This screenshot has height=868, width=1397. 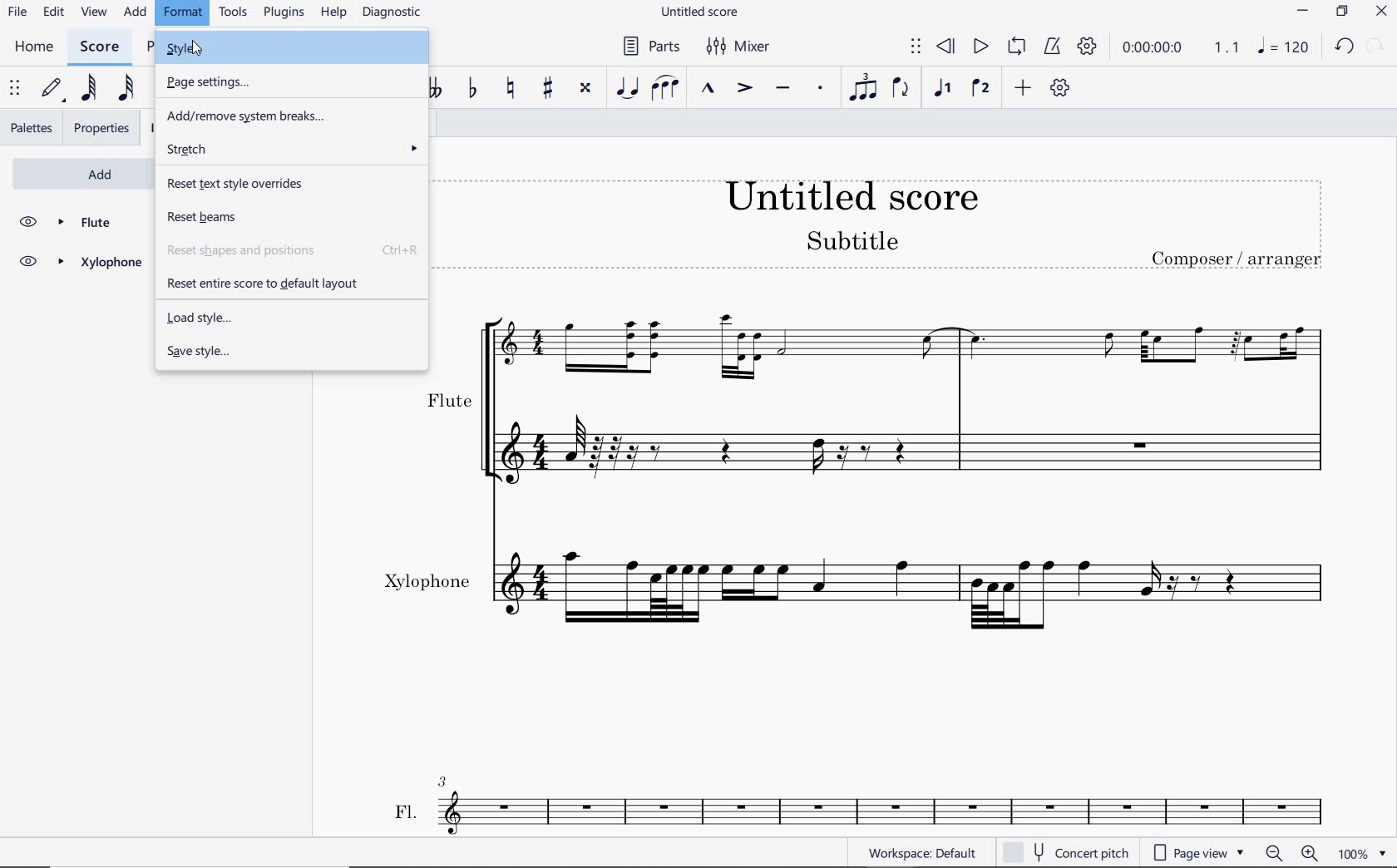 What do you see at coordinates (1202, 852) in the screenshot?
I see `PAGE VIEW` at bounding box center [1202, 852].